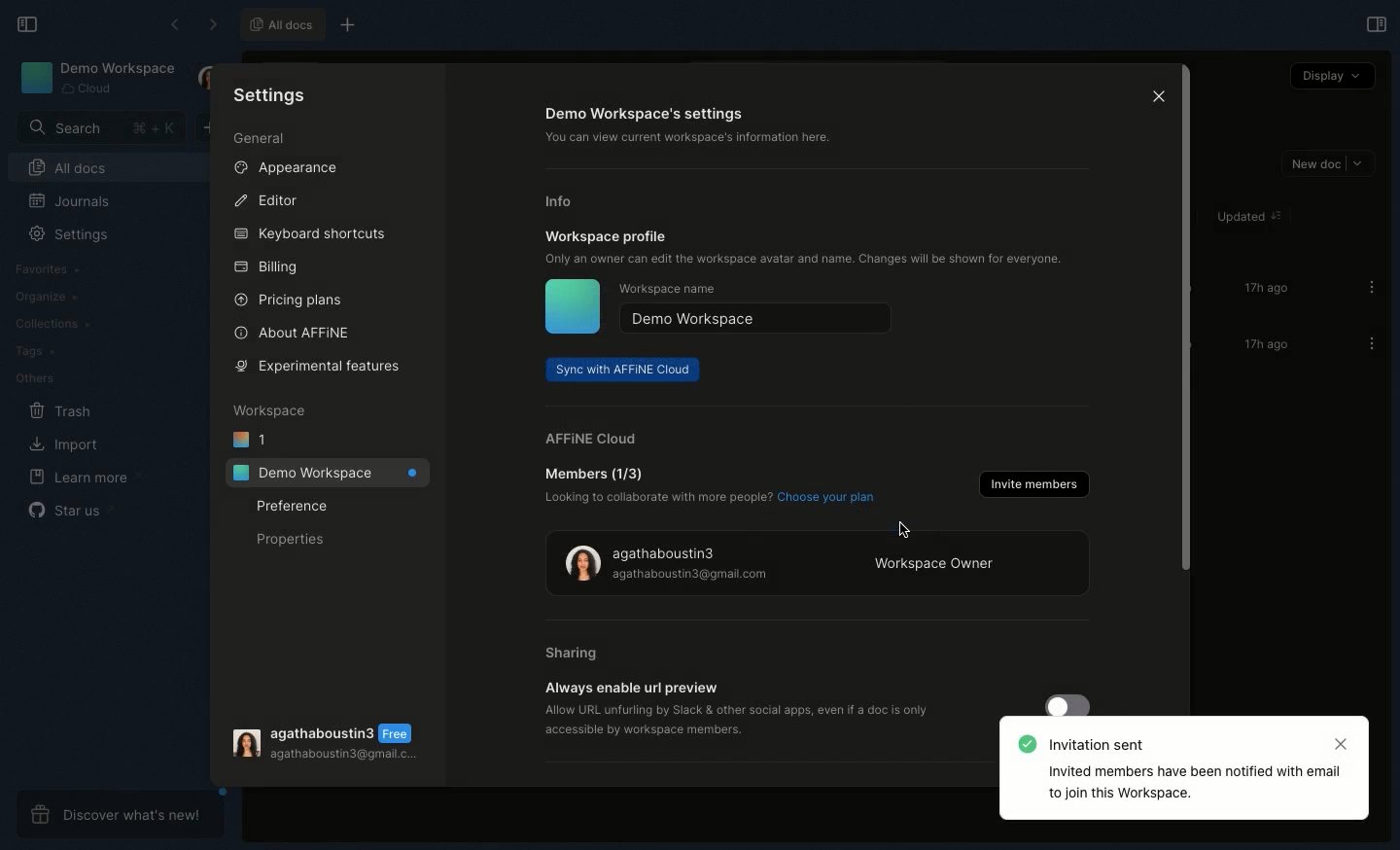  What do you see at coordinates (208, 79) in the screenshot?
I see `User` at bounding box center [208, 79].